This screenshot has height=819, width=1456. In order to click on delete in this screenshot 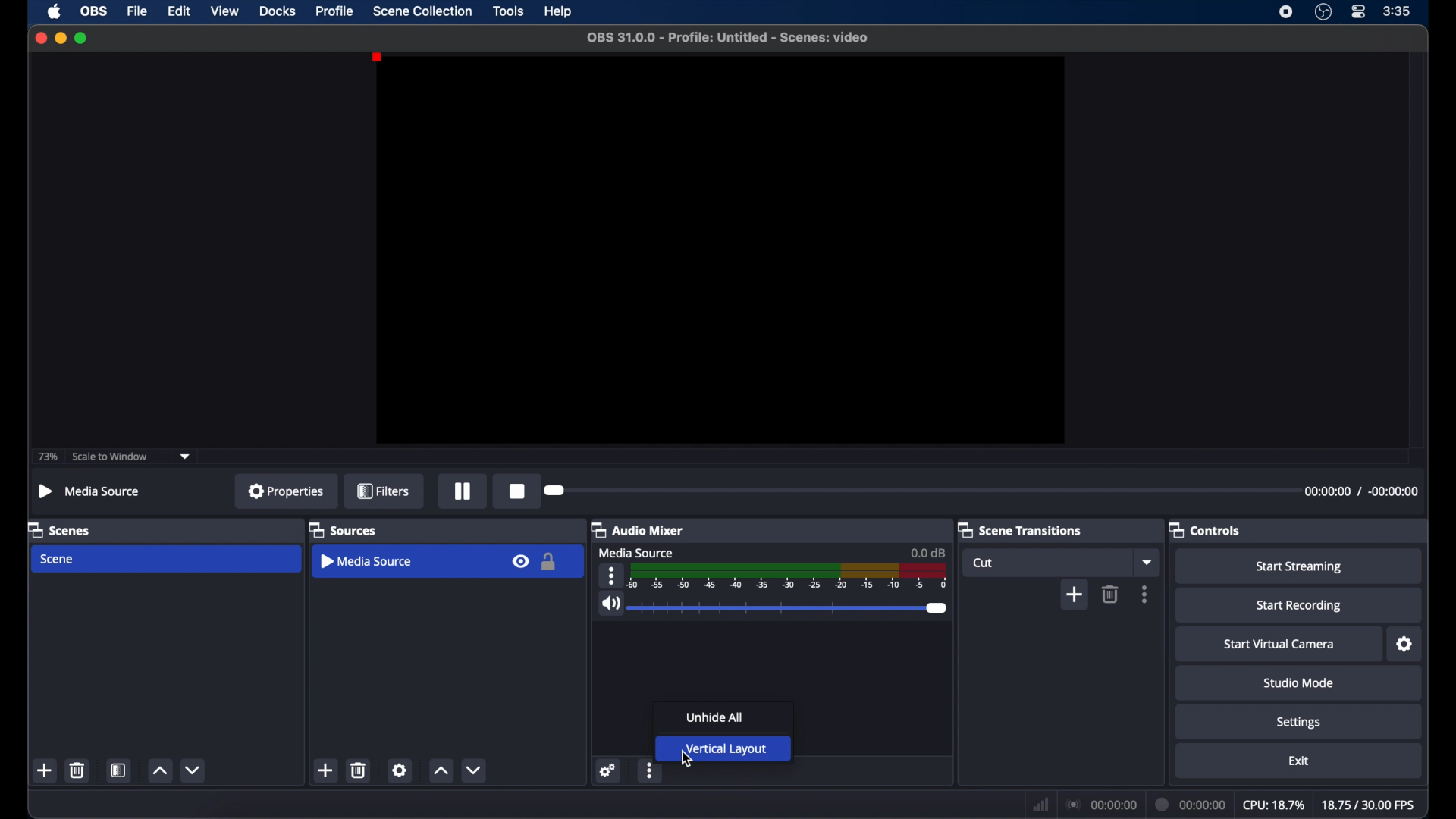, I will do `click(359, 770)`.